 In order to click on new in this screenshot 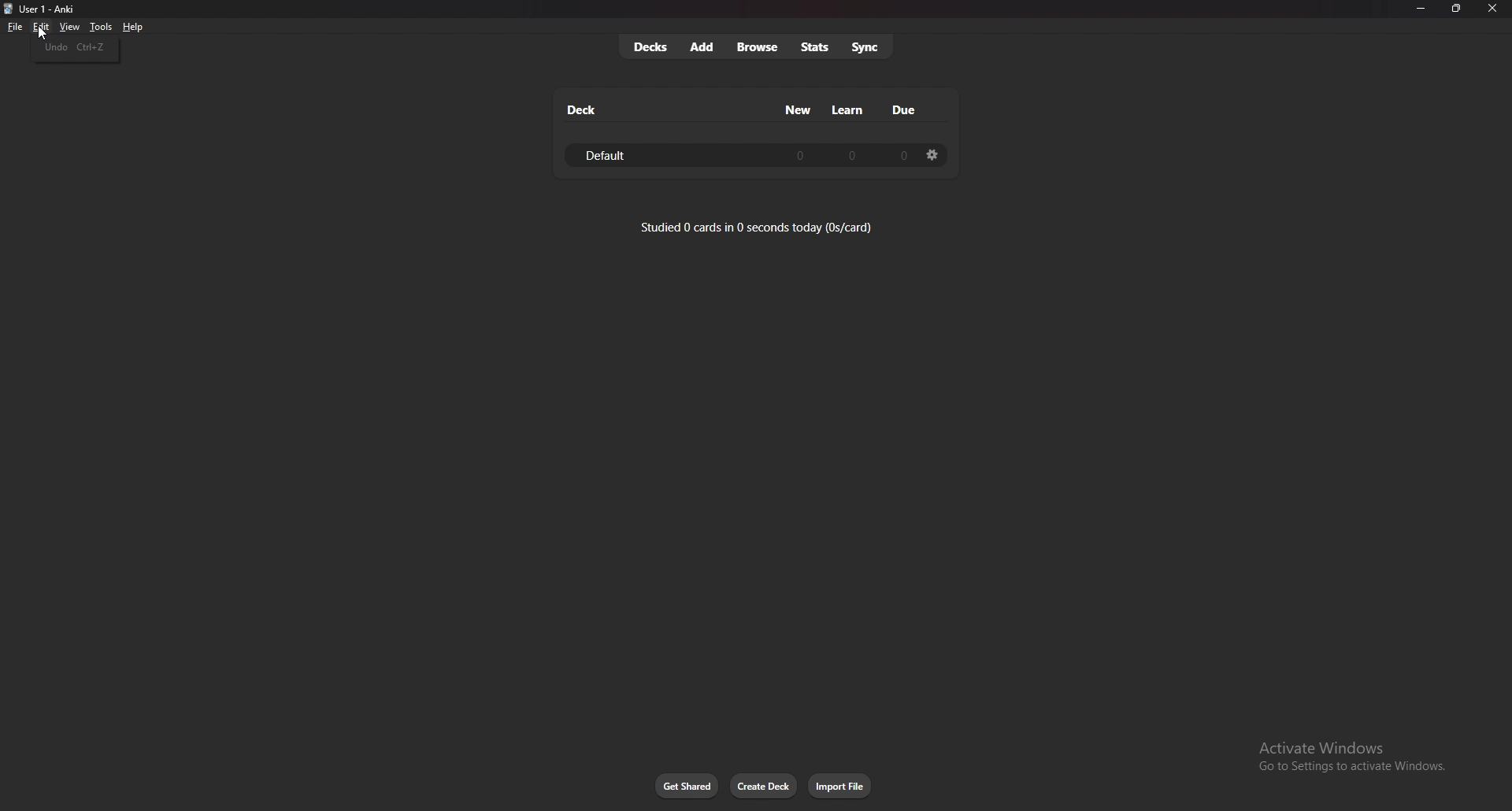, I will do `click(799, 110)`.